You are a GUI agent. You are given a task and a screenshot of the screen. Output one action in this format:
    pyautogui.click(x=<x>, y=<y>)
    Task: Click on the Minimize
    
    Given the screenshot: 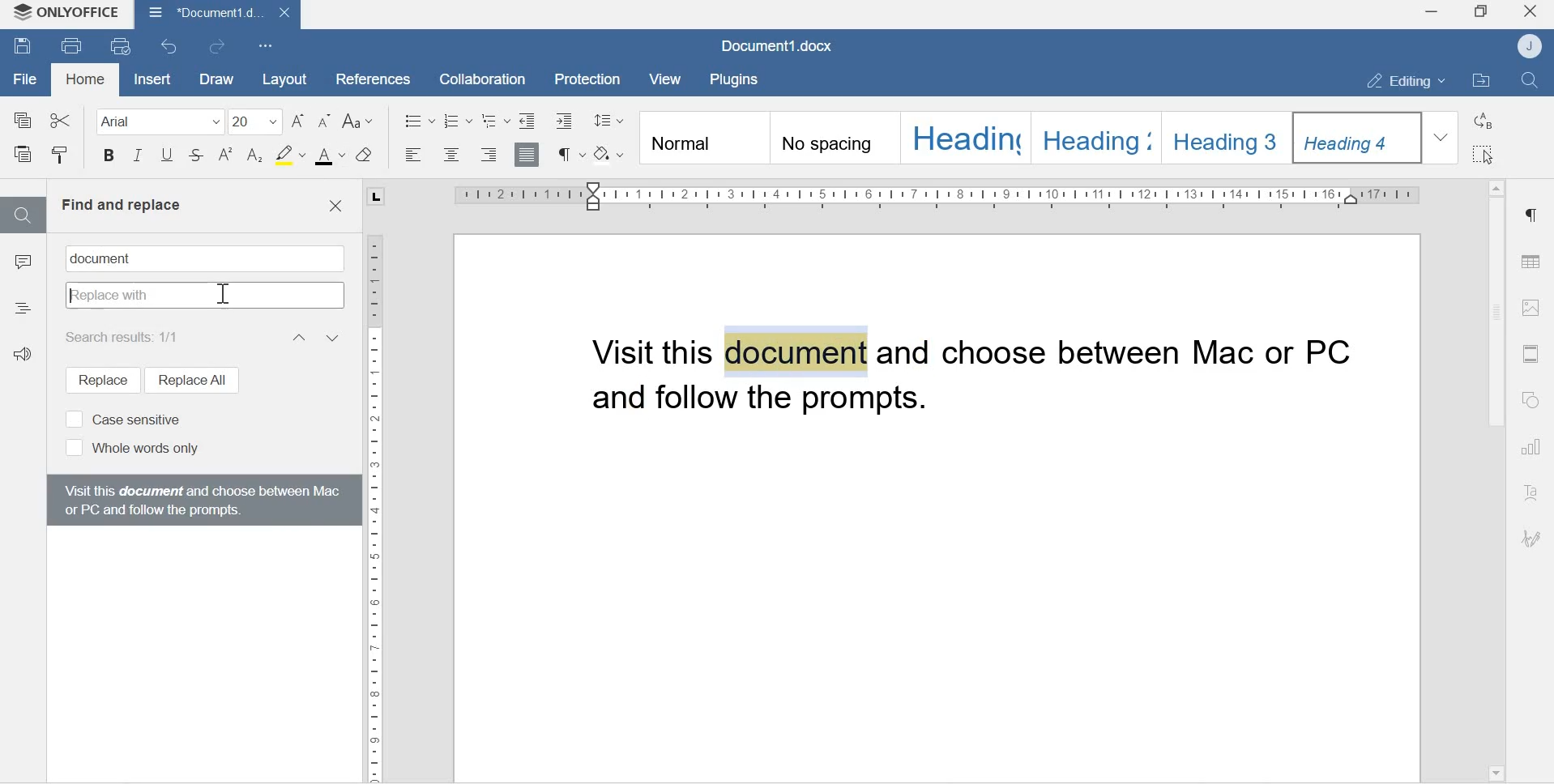 What is the action you would take?
    pyautogui.click(x=1430, y=14)
    